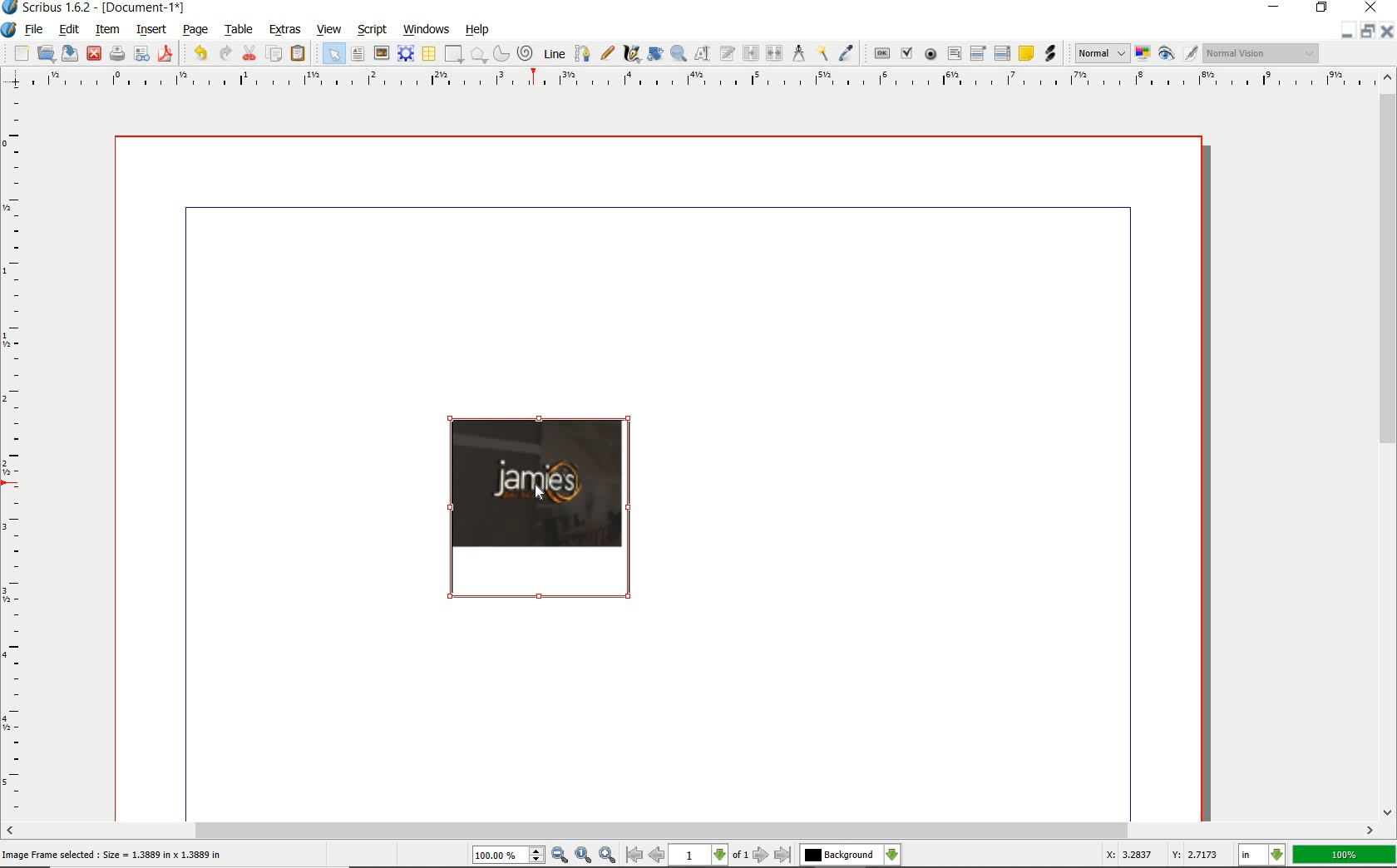 The image size is (1397, 868). Describe the element at coordinates (195, 30) in the screenshot. I see `page` at that location.